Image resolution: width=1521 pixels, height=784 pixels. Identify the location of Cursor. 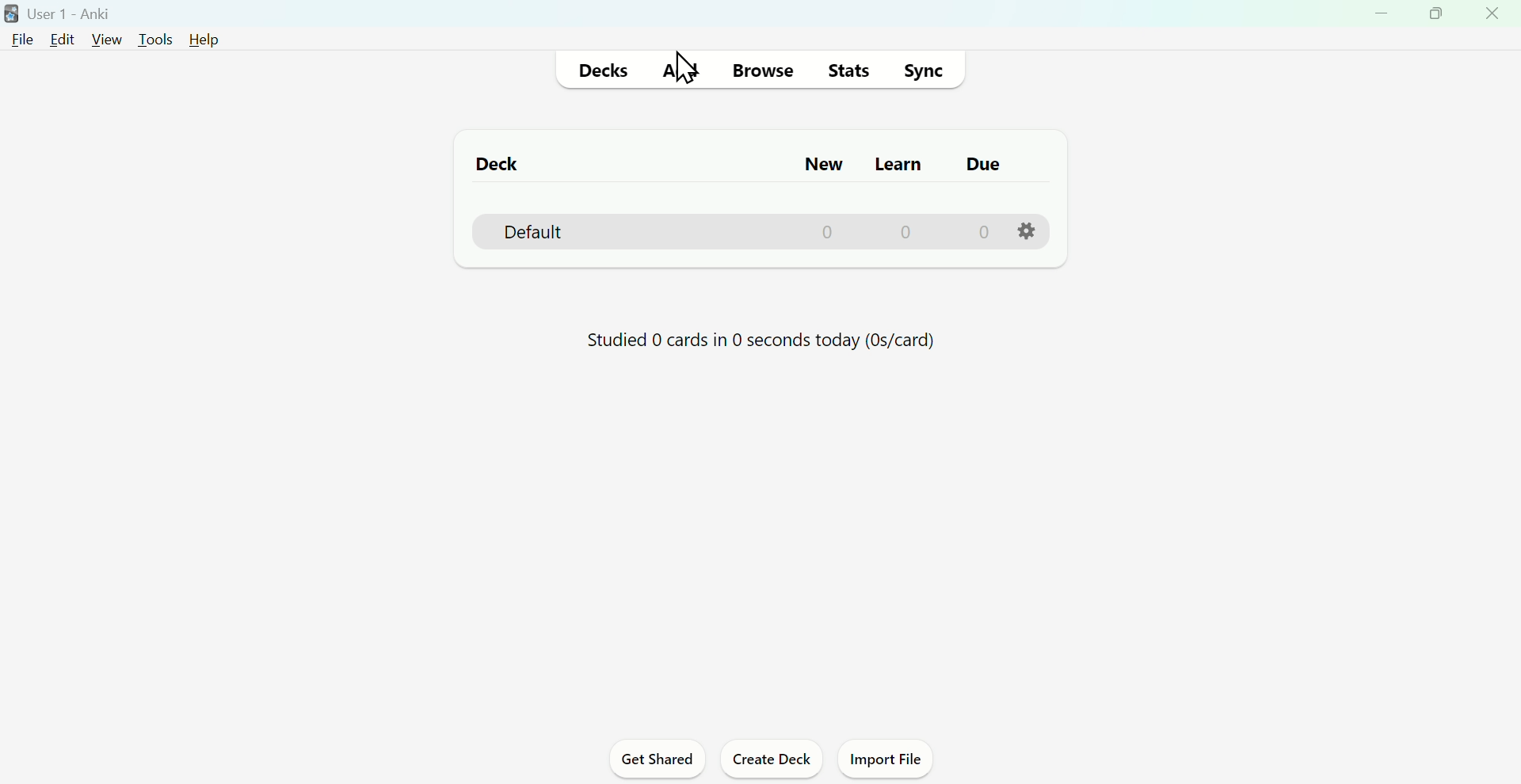
(681, 67).